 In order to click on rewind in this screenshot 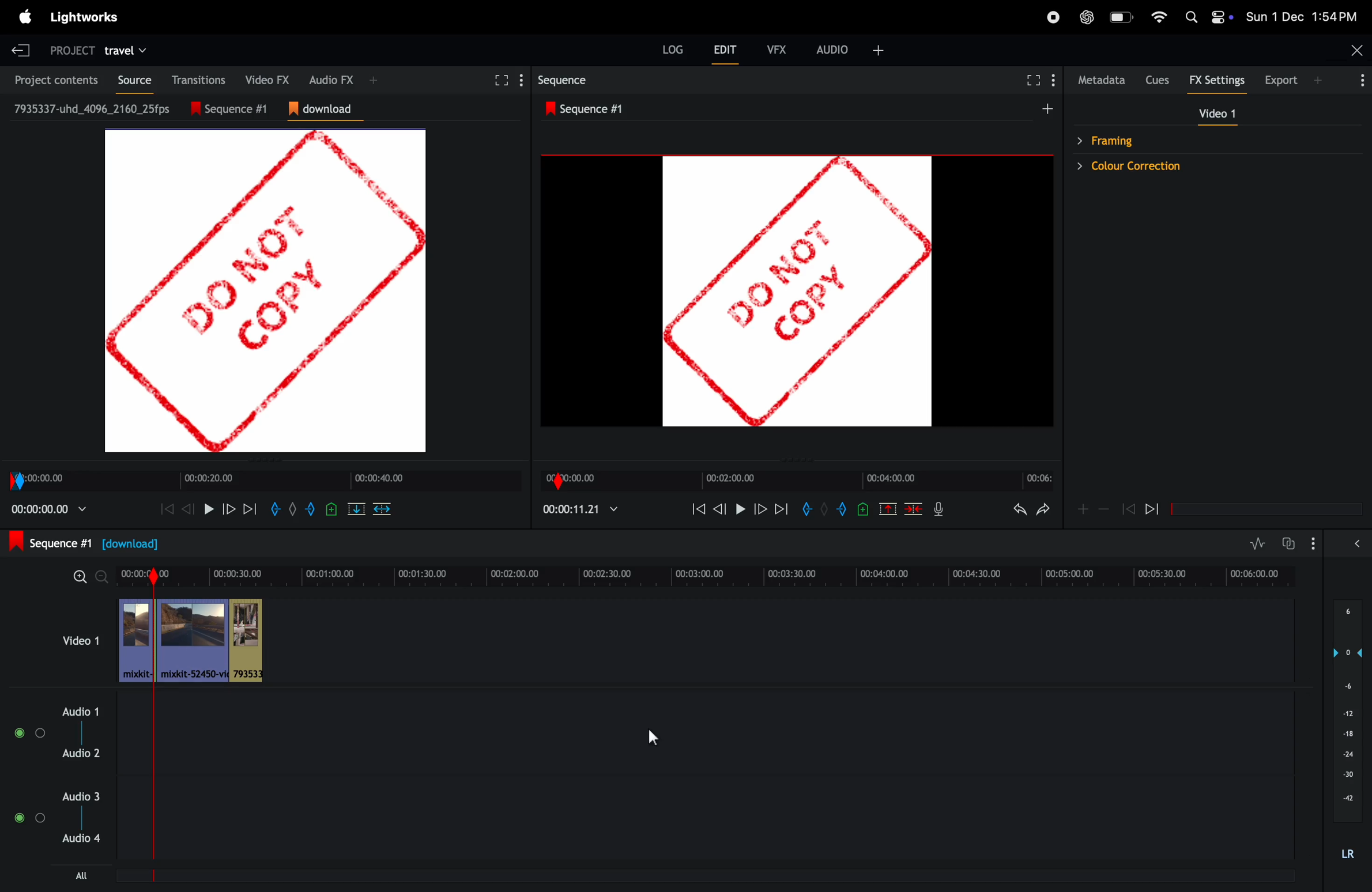, I will do `click(913, 508)`.